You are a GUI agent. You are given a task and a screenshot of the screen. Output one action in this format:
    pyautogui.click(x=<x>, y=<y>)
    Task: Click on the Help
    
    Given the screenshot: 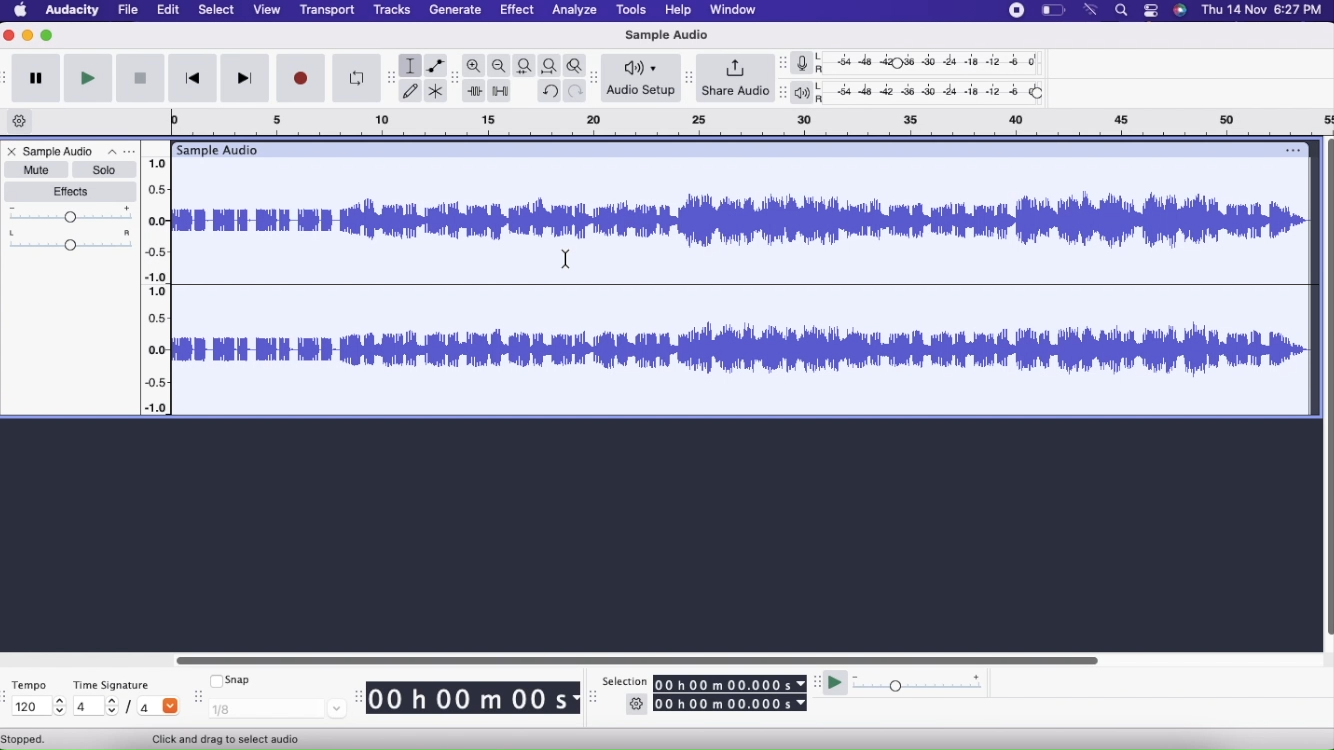 What is the action you would take?
    pyautogui.click(x=678, y=10)
    